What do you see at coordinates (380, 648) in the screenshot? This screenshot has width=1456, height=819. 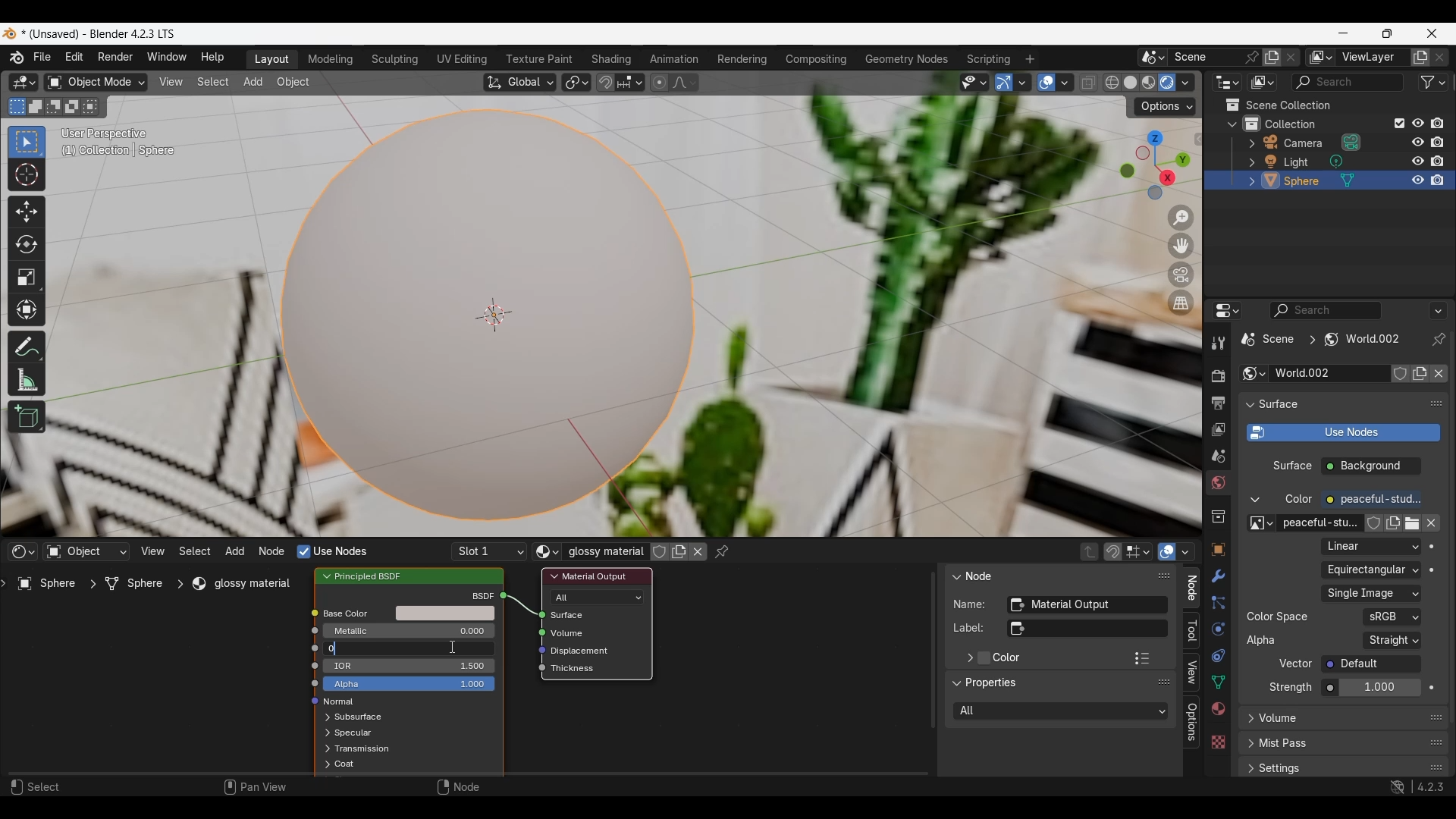 I see `Typing 0 in the input of roughness` at bounding box center [380, 648].